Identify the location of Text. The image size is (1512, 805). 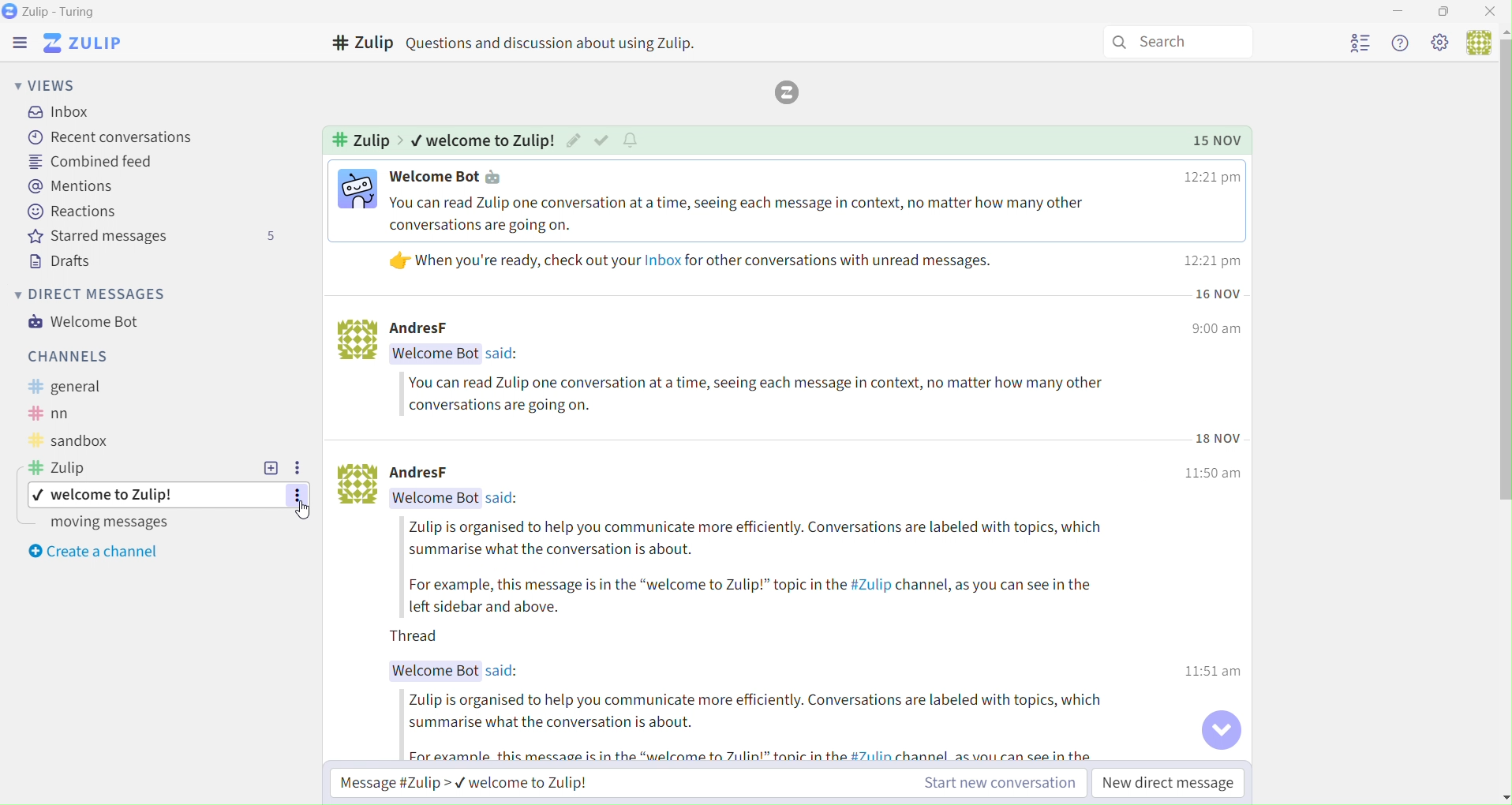
(694, 260).